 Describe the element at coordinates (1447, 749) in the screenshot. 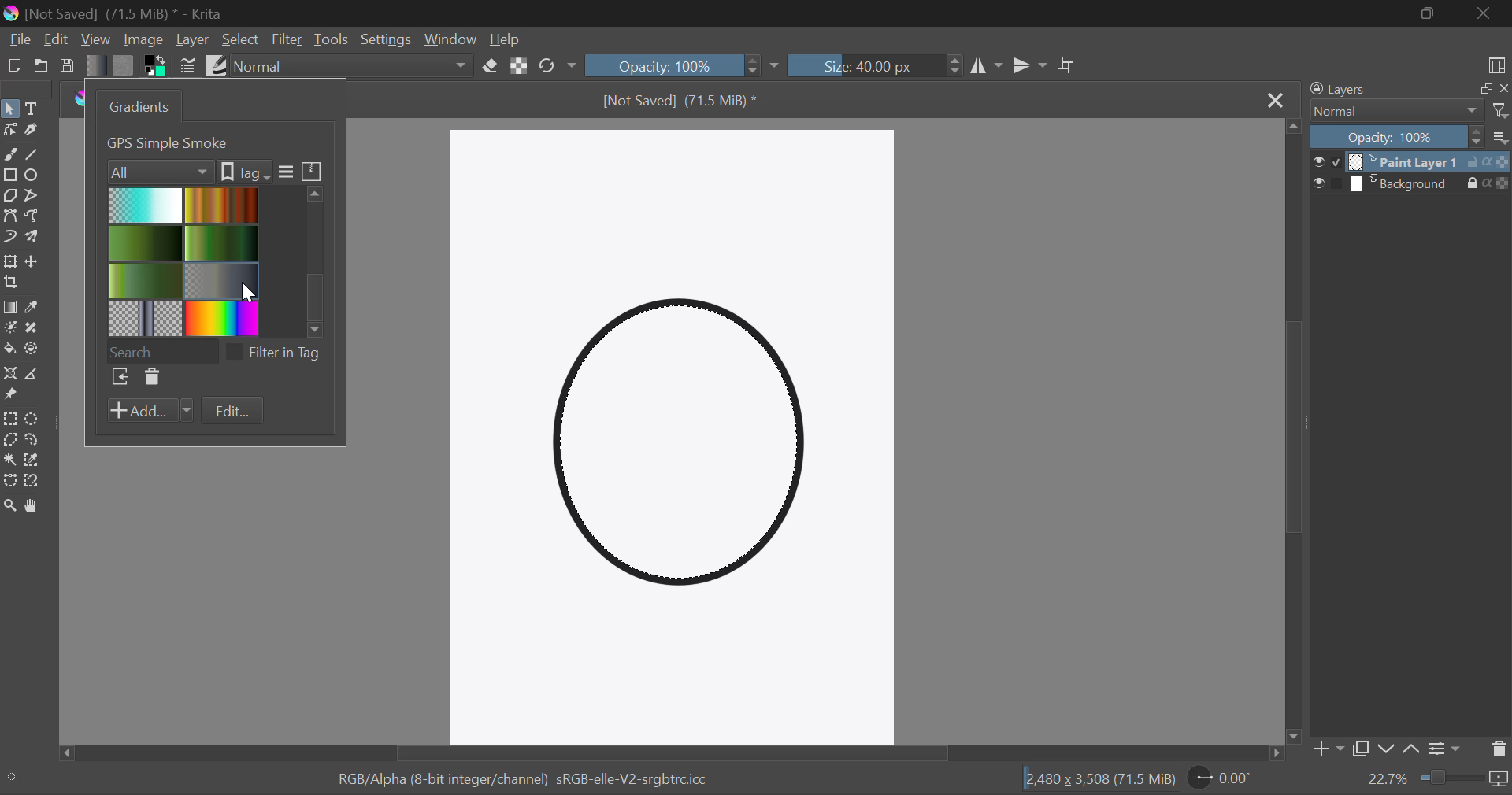

I see `Settings` at that location.